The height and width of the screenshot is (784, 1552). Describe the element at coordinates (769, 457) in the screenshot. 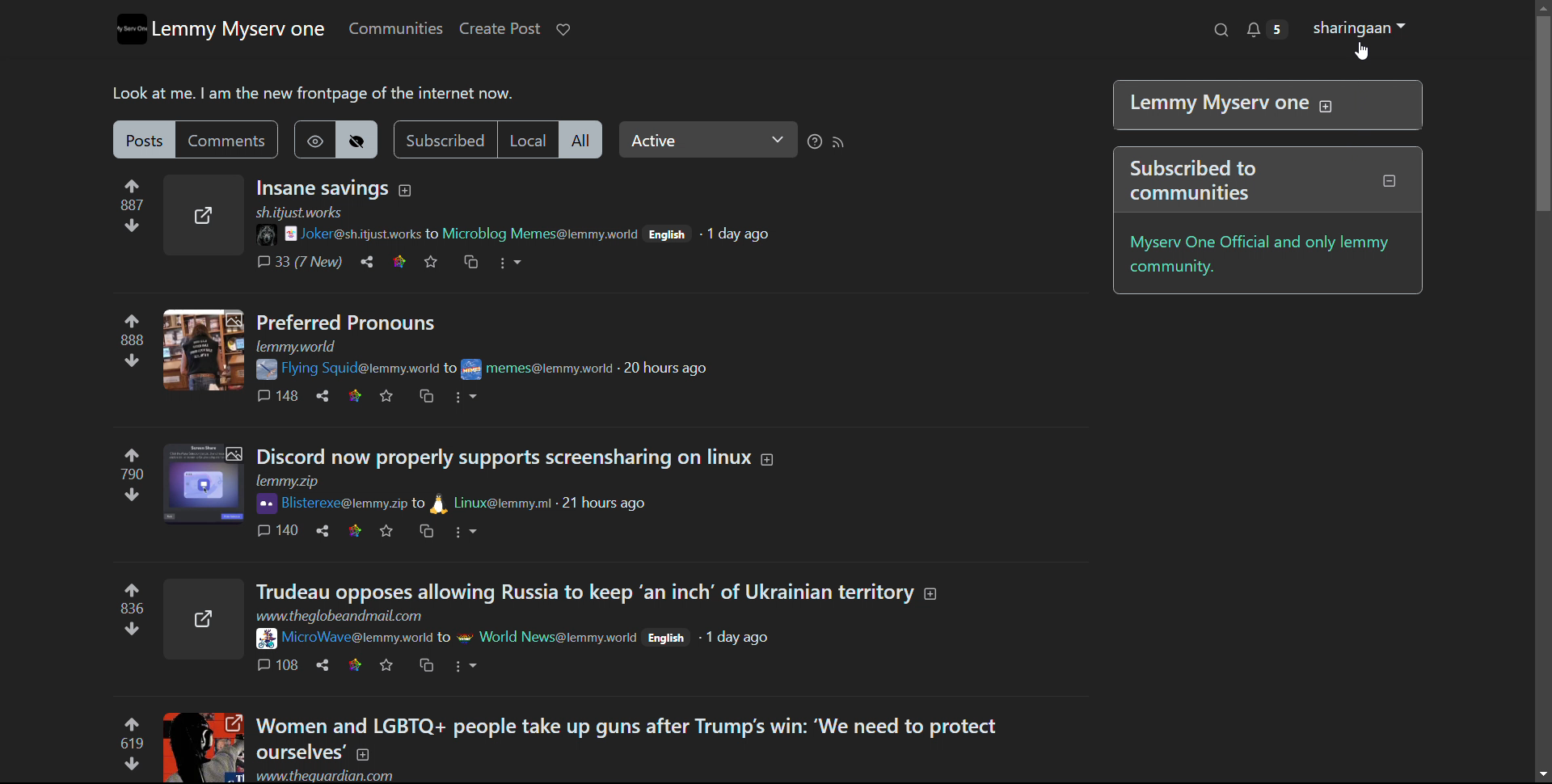

I see `expand` at that location.